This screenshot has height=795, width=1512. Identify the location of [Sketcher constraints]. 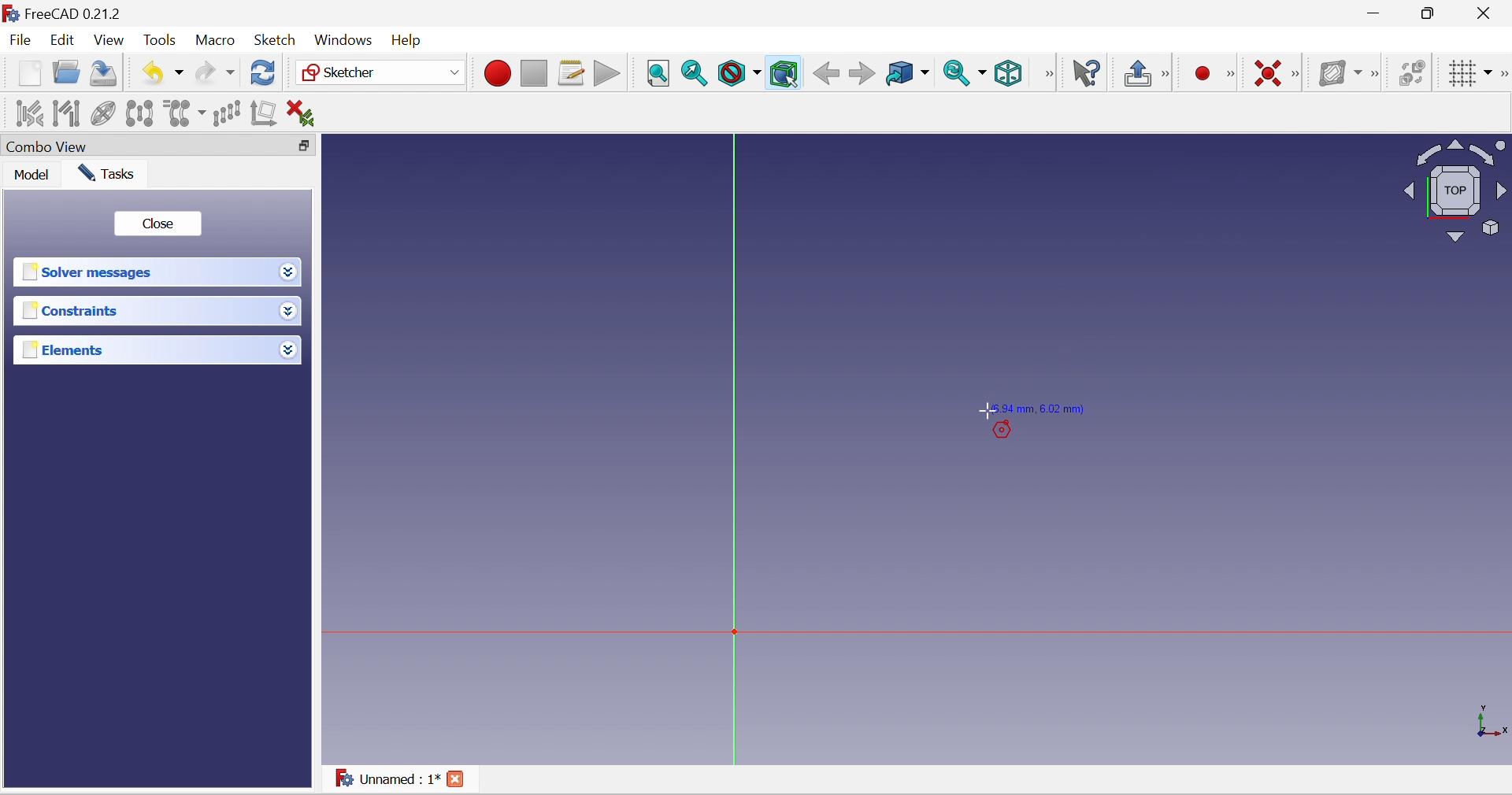
(1295, 75).